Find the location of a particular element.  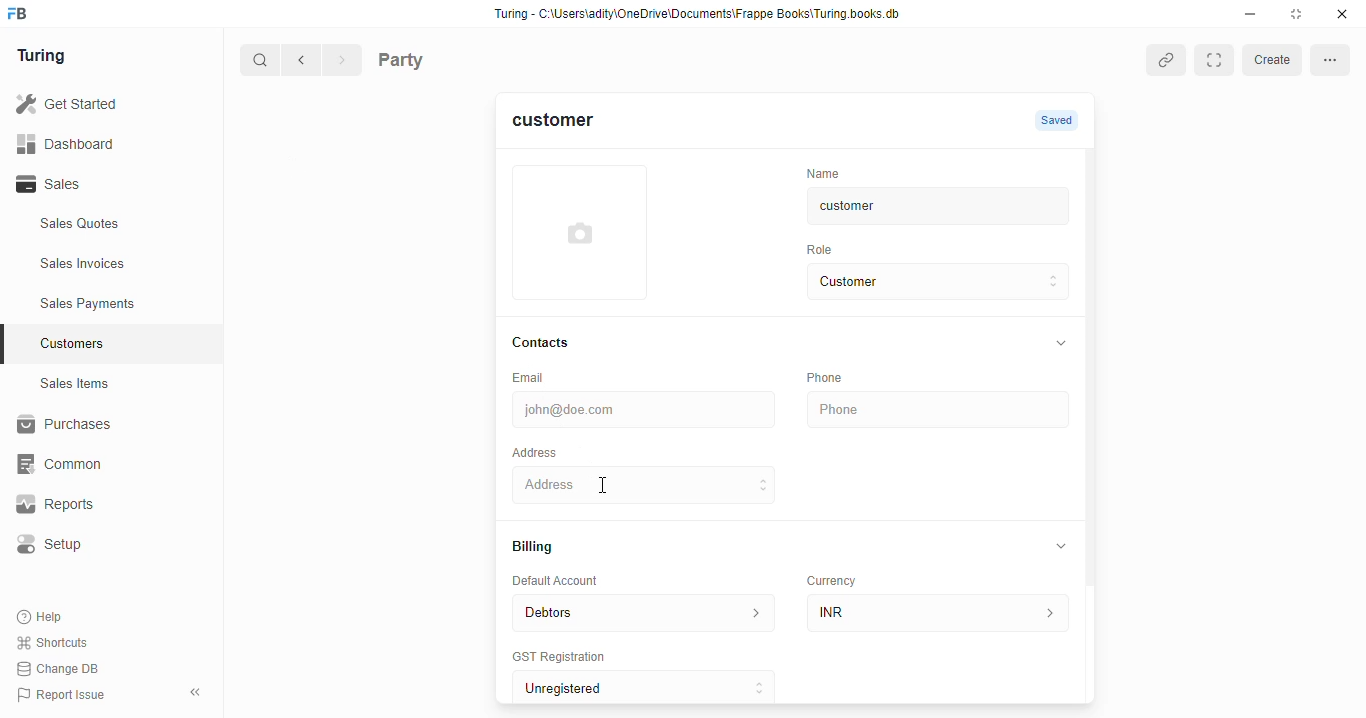

Turing is located at coordinates (46, 57).